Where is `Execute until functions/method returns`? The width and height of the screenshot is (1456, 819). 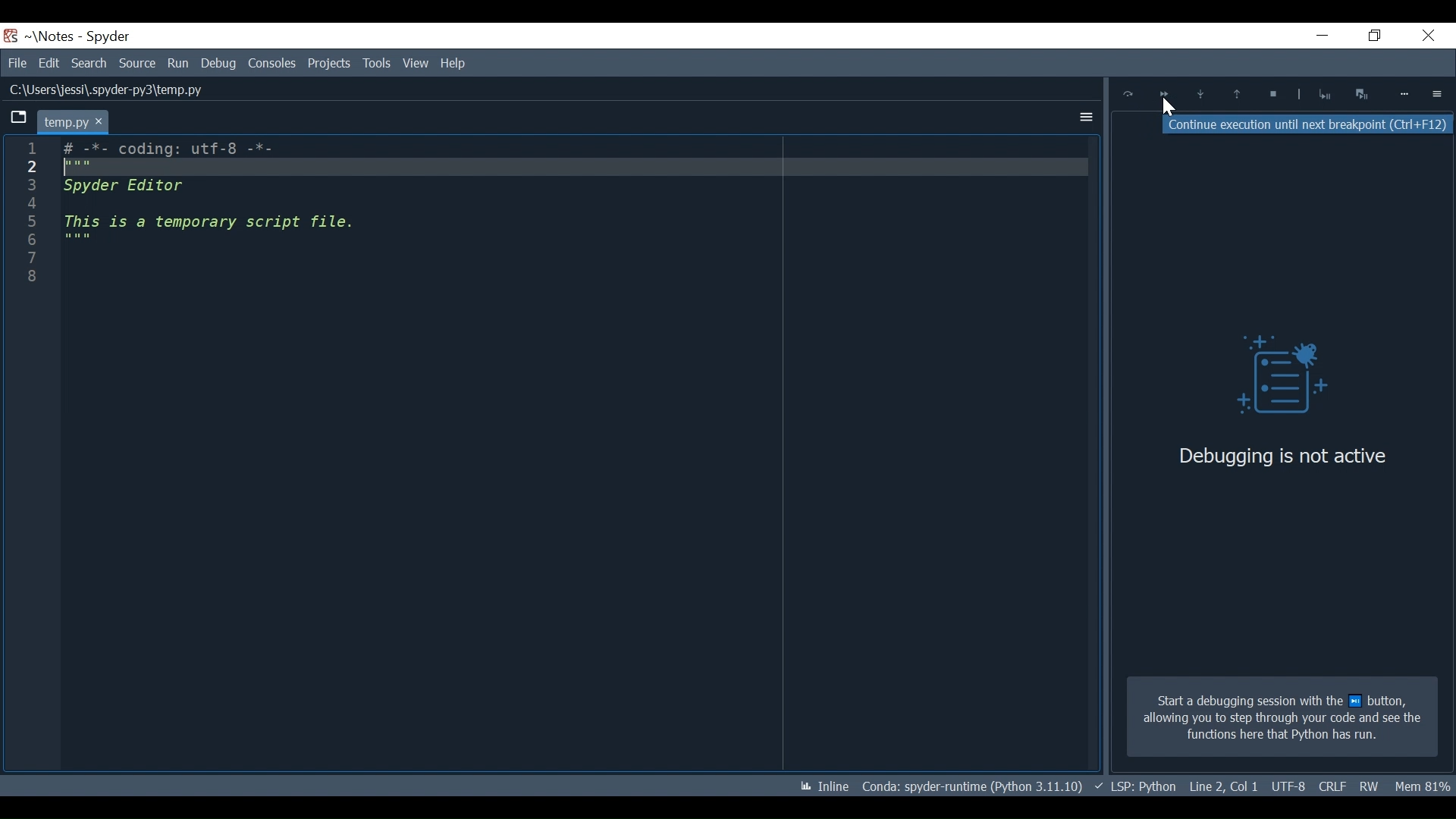 Execute until functions/method returns is located at coordinates (1235, 96).